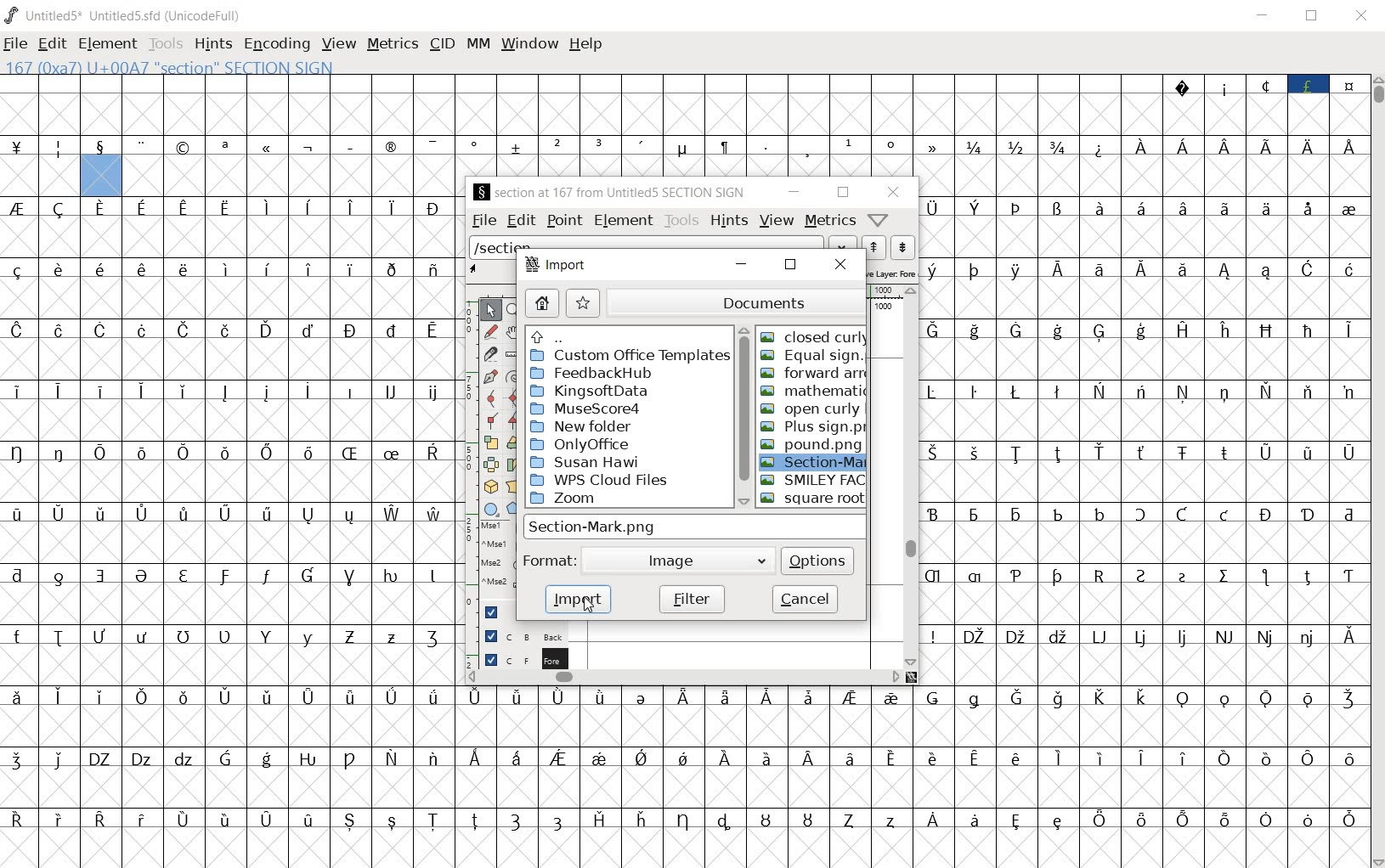 This screenshot has height=868, width=1385. What do you see at coordinates (52, 45) in the screenshot?
I see `EDIT` at bounding box center [52, 45].